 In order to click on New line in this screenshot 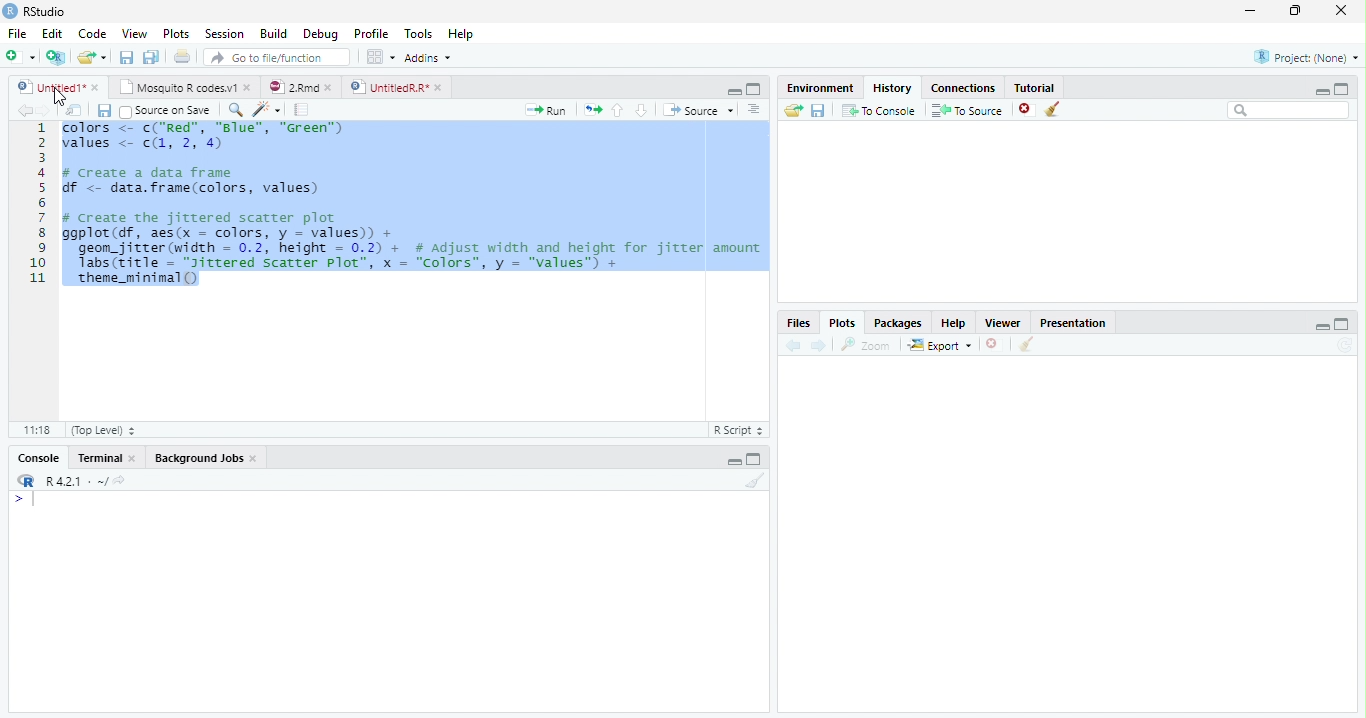, I will do `click(24, 499)`.